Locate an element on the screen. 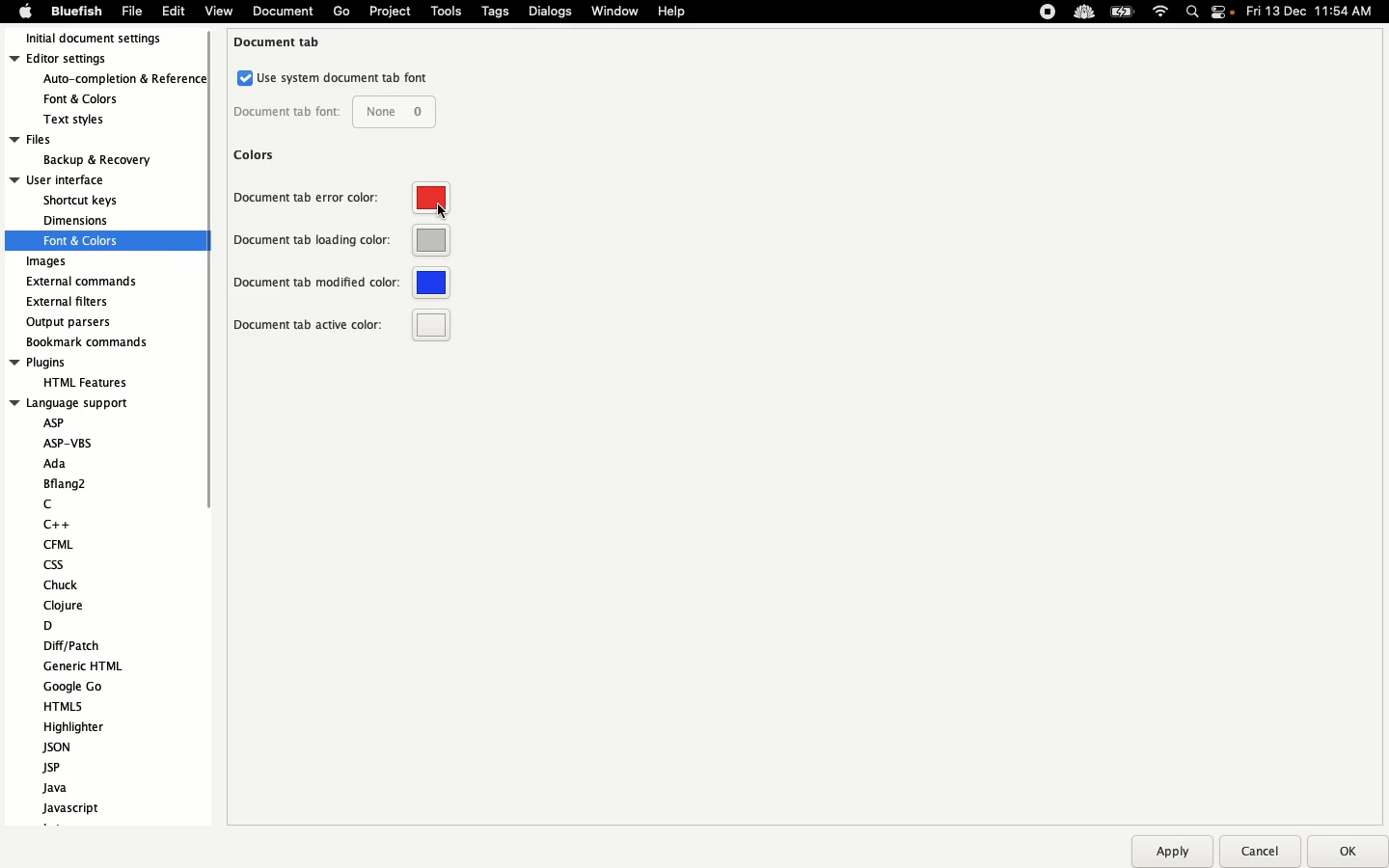 The image size is (1389, 868). Language support is located at coordinates (94, 615).